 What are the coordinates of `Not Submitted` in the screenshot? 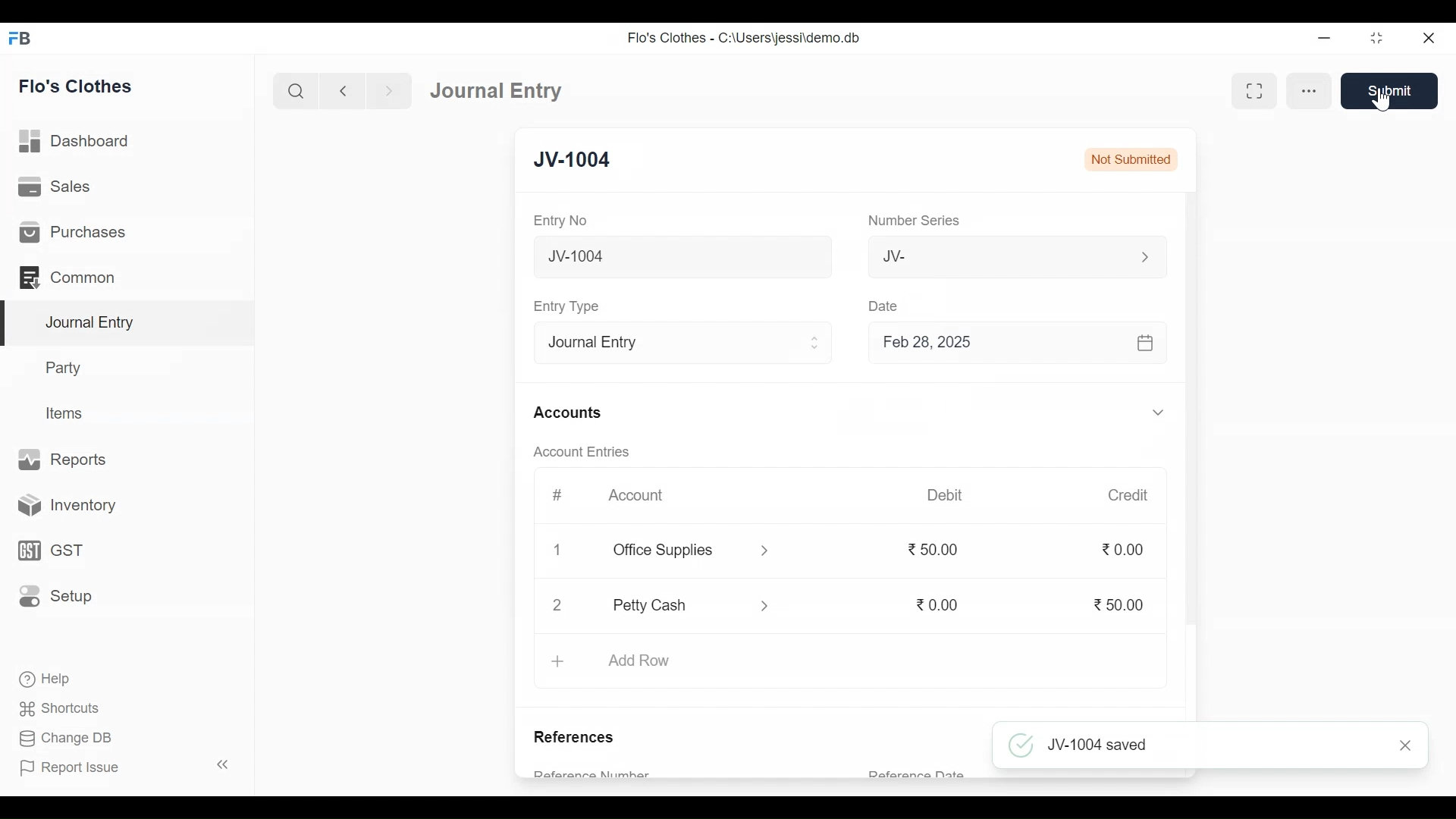 It's located at (1130, 160).